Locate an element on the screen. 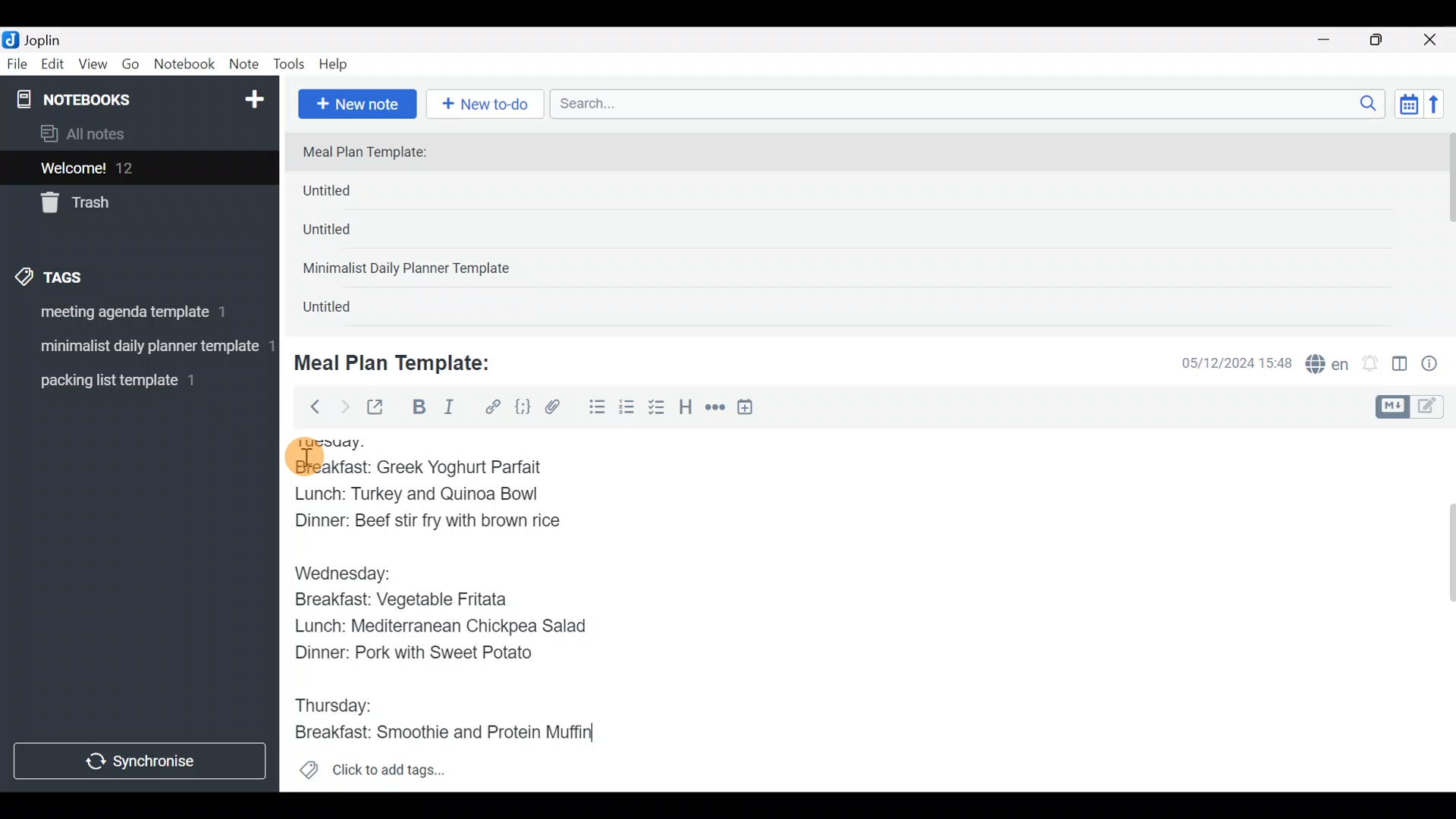  Bold is located at coordinates (418, 409).